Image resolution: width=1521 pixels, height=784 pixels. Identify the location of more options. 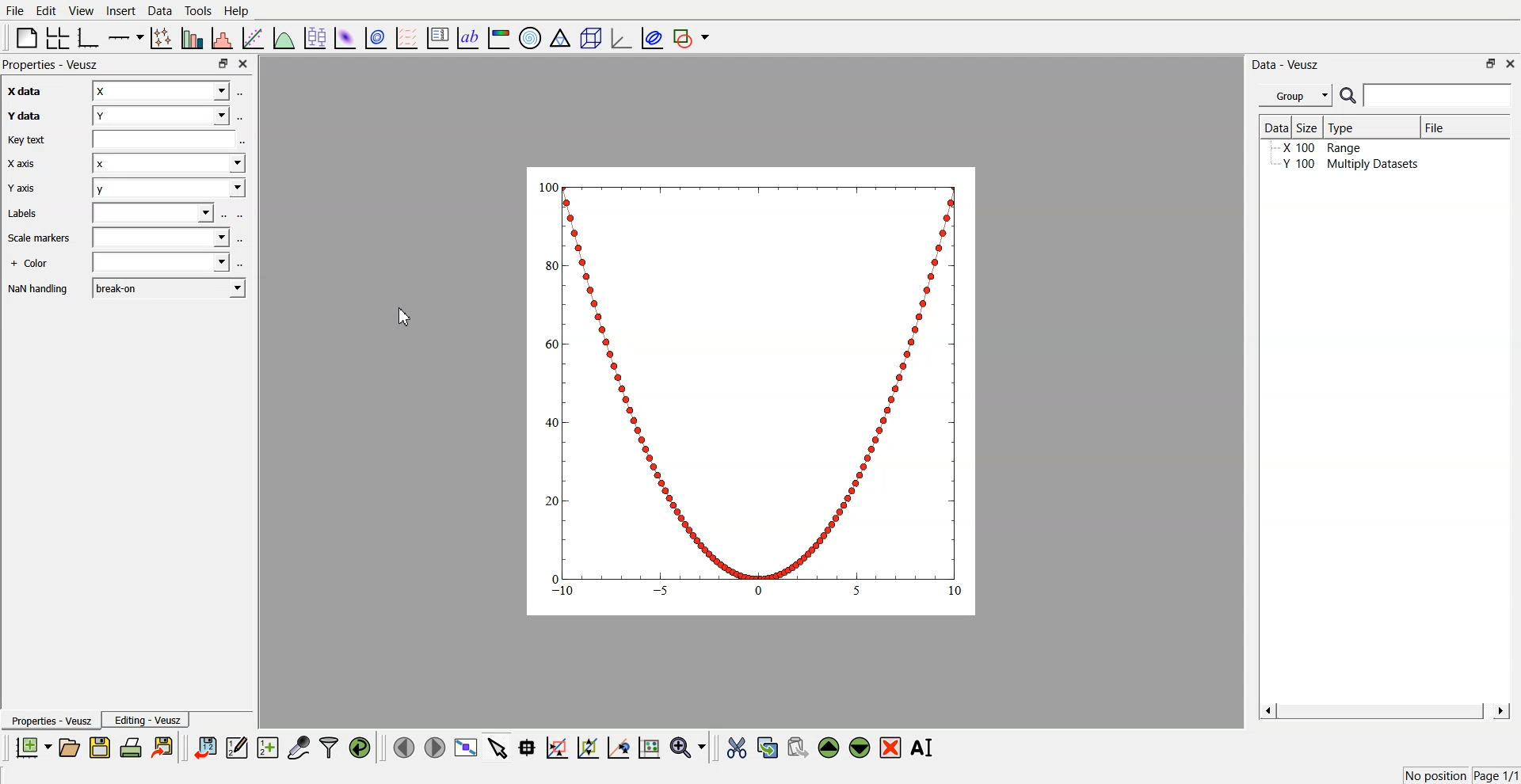
(235, 212).